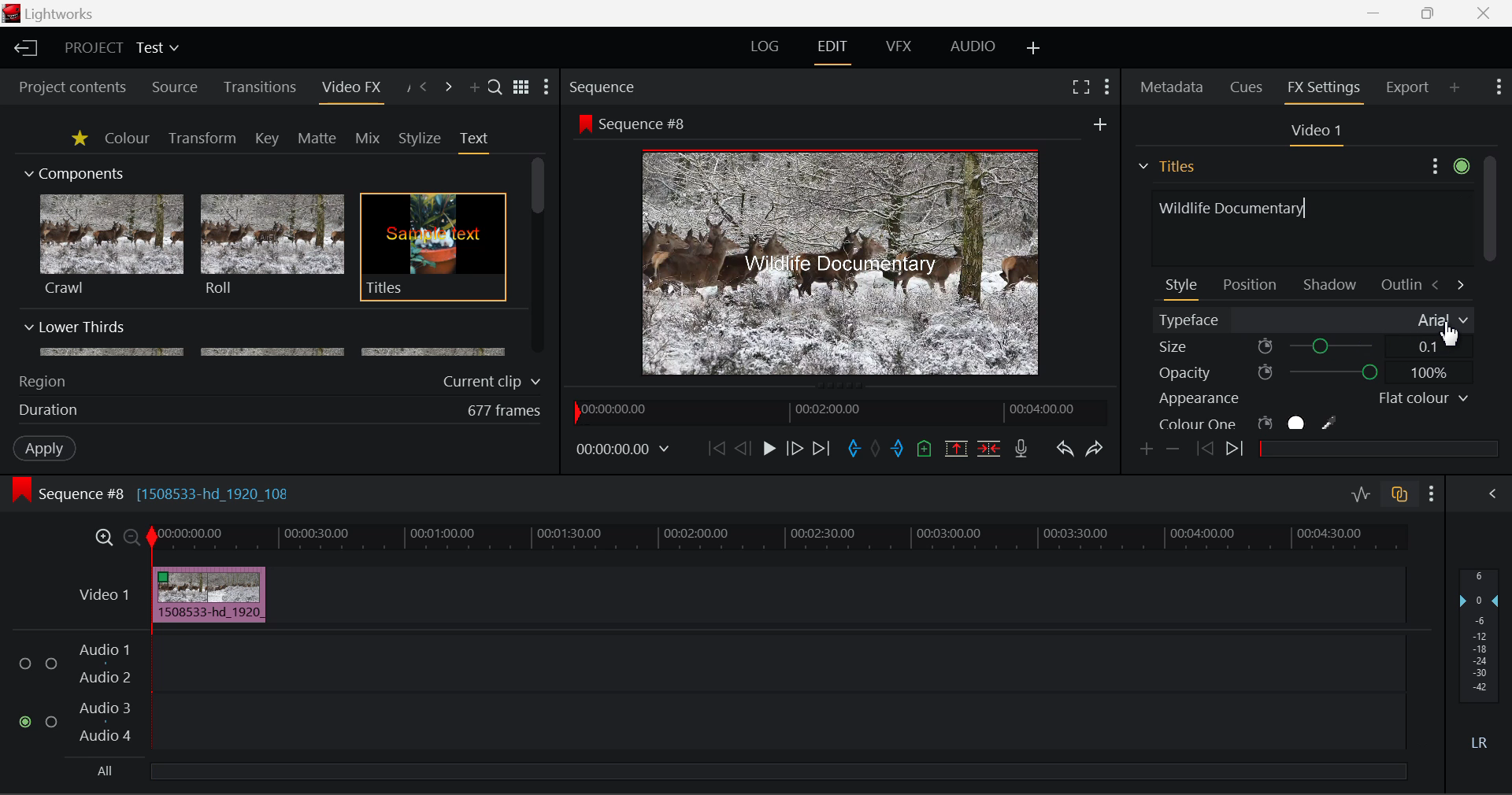 This screenshot has width=1512, height=795. I want to click on checkbox, so click(52, 665).